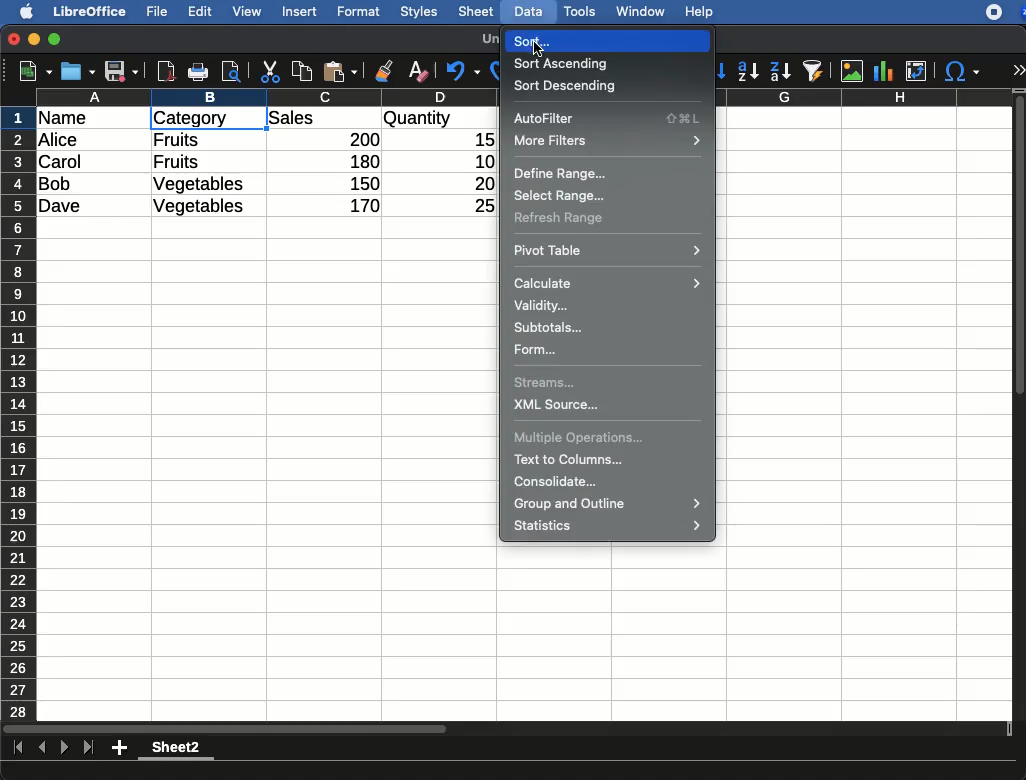  What do you see at coordinates (198, 207) in the screenshot?
I see `Vegetables` at bounding box center [198, 207].